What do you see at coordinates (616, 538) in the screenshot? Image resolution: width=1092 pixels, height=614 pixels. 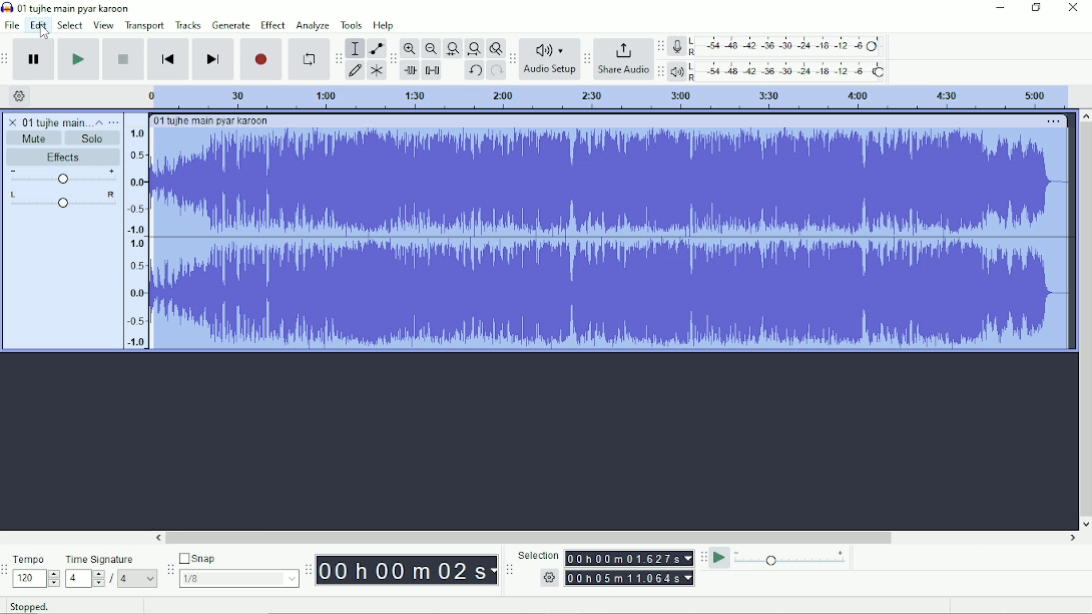 I see `Horizontal scrollbar` at bounding box center [616, 538].